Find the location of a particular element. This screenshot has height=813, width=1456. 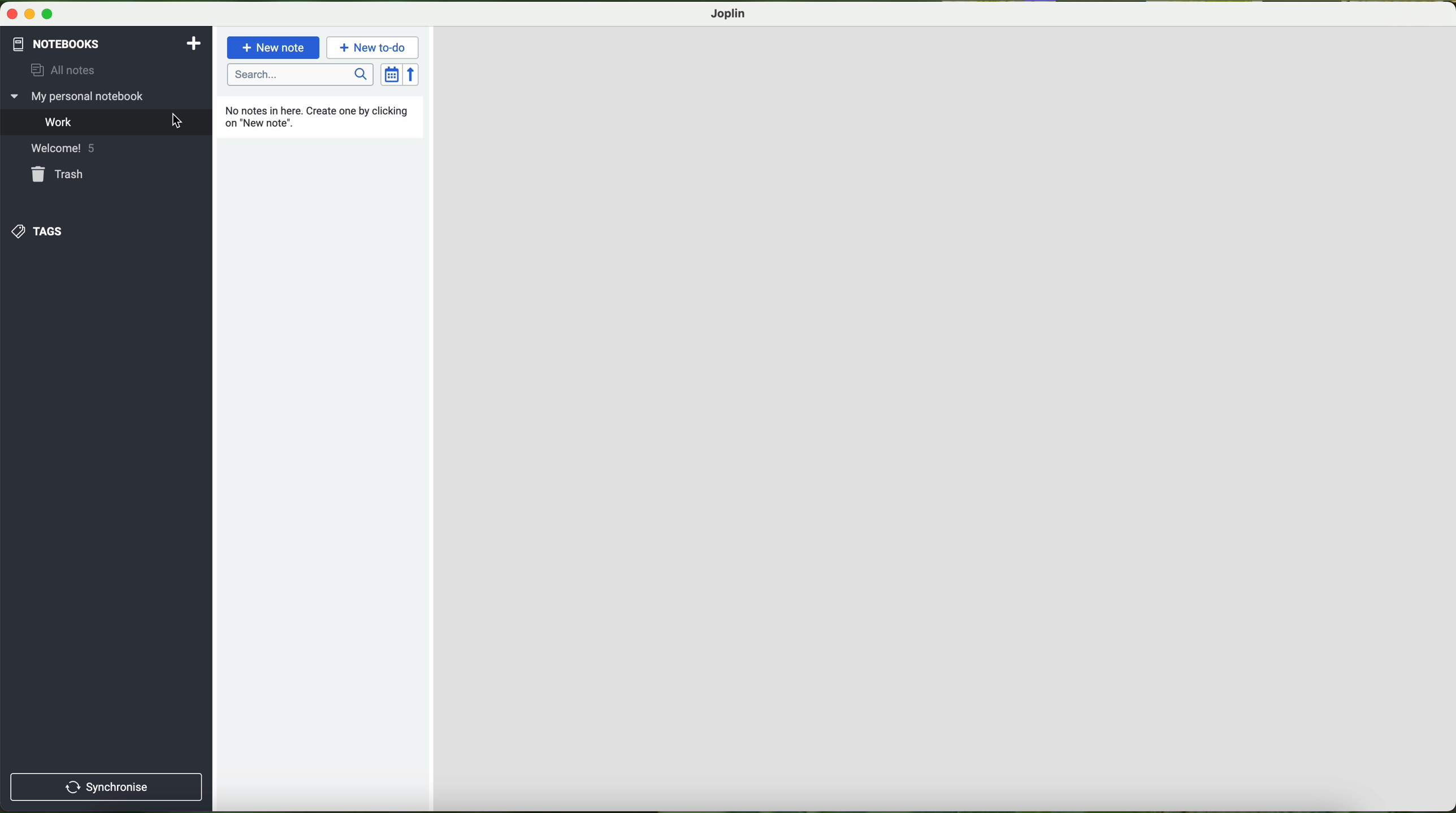

my personal notebook is located at coordinates (80, 97).